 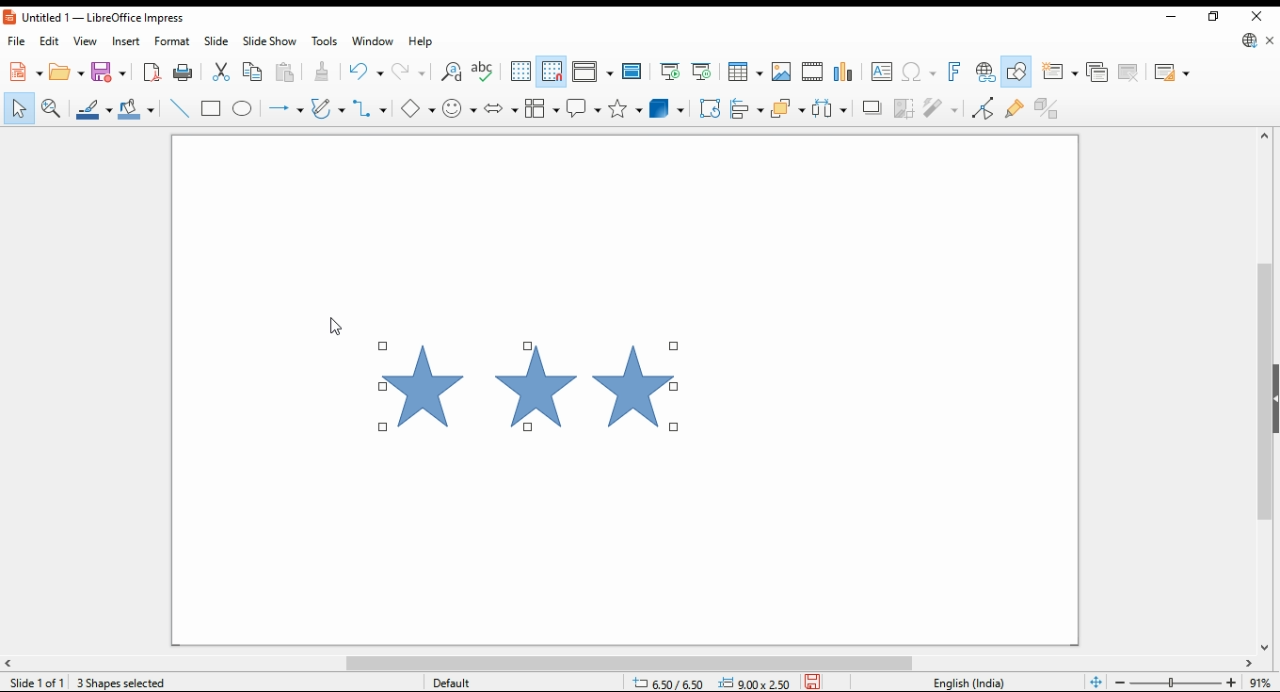 What do you see at coordinates (125, 41) in the screenshot?
I see `insert` at bounding box center [125, 41].